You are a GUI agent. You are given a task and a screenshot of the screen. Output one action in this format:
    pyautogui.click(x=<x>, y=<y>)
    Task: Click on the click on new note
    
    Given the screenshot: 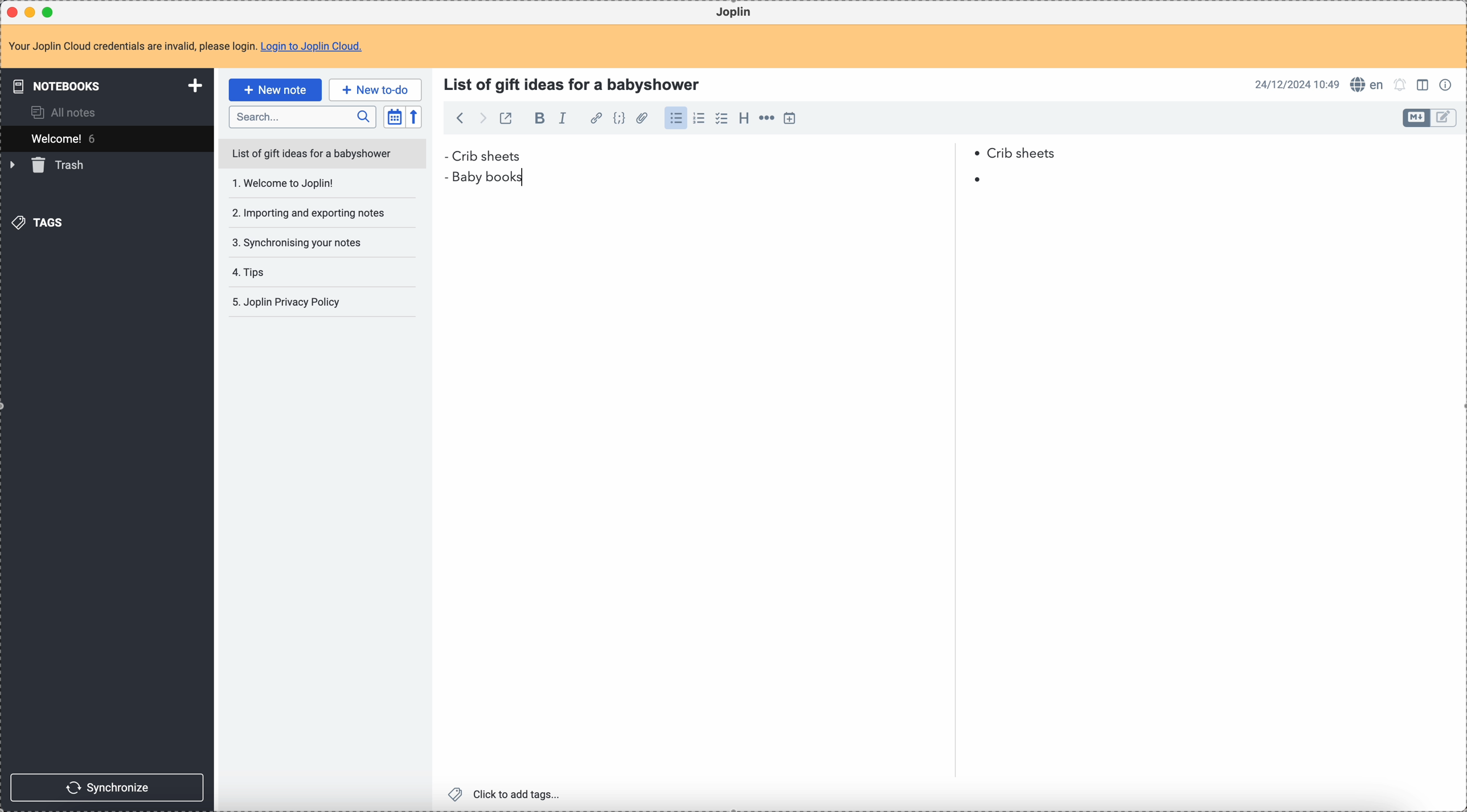 What is the action you would take?
    pyautogui.click(x=274, y=90)
    